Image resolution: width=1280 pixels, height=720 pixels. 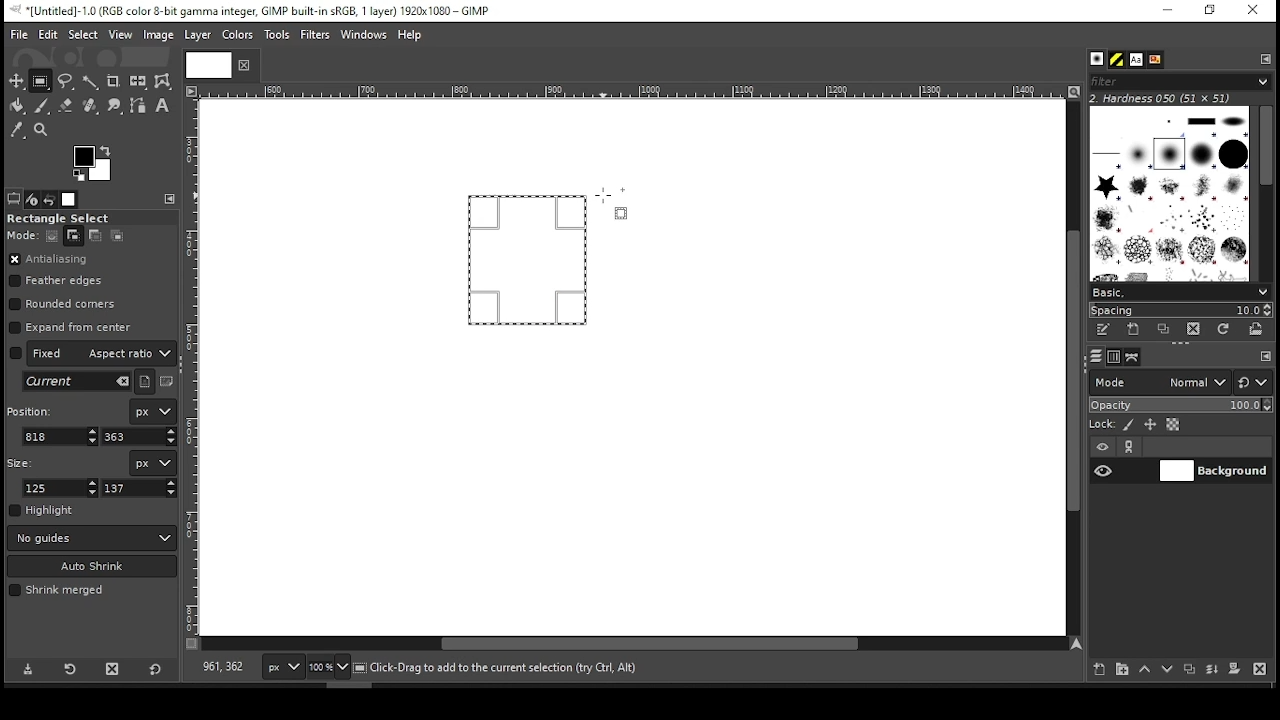 I want to click on feather edges, so click(x=61, y=281).